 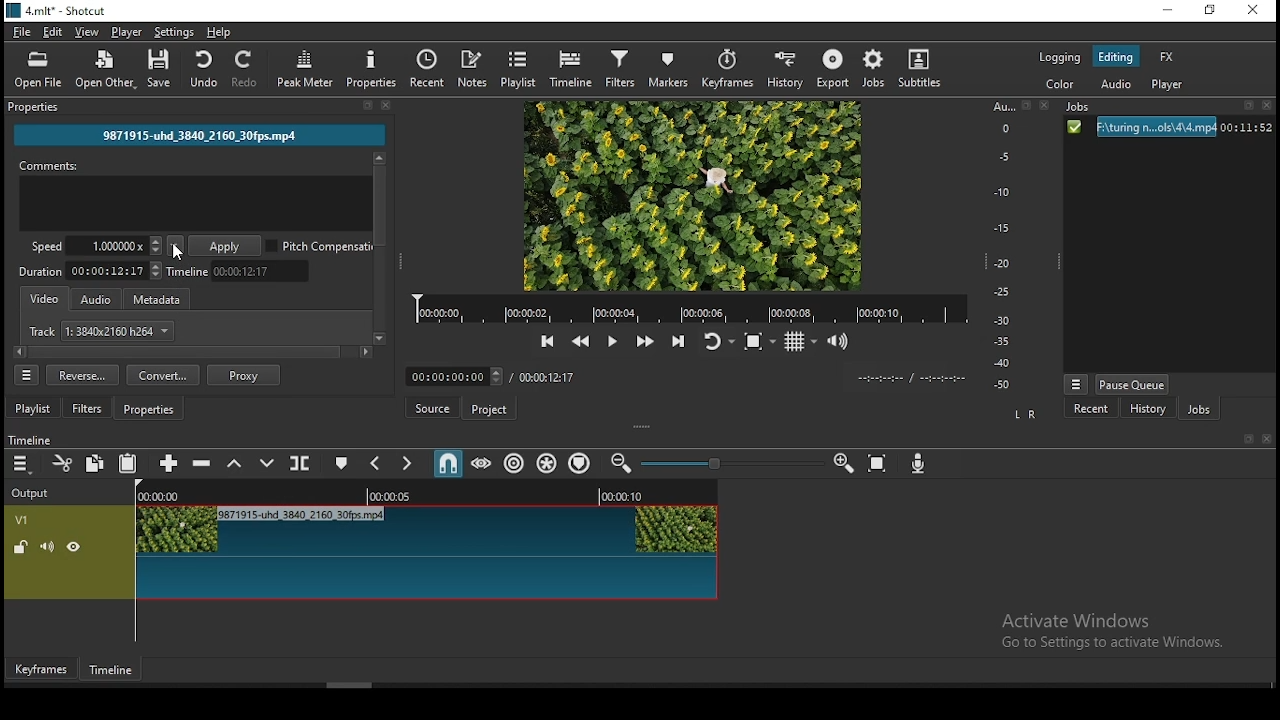 I want to click on close, so click(x=387, y=105).